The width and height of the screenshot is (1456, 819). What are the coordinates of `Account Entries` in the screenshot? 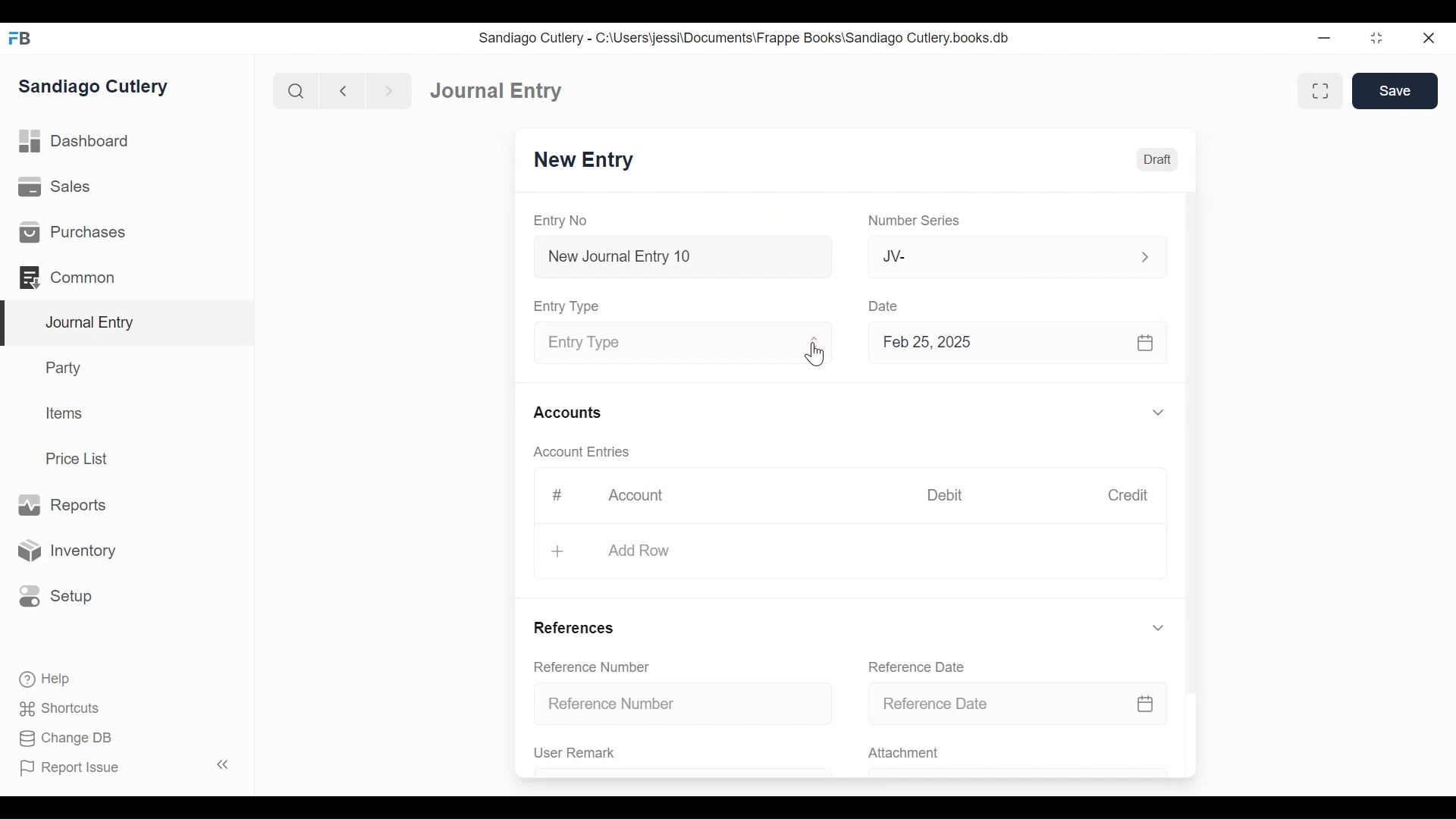 It's located at (588, 452).